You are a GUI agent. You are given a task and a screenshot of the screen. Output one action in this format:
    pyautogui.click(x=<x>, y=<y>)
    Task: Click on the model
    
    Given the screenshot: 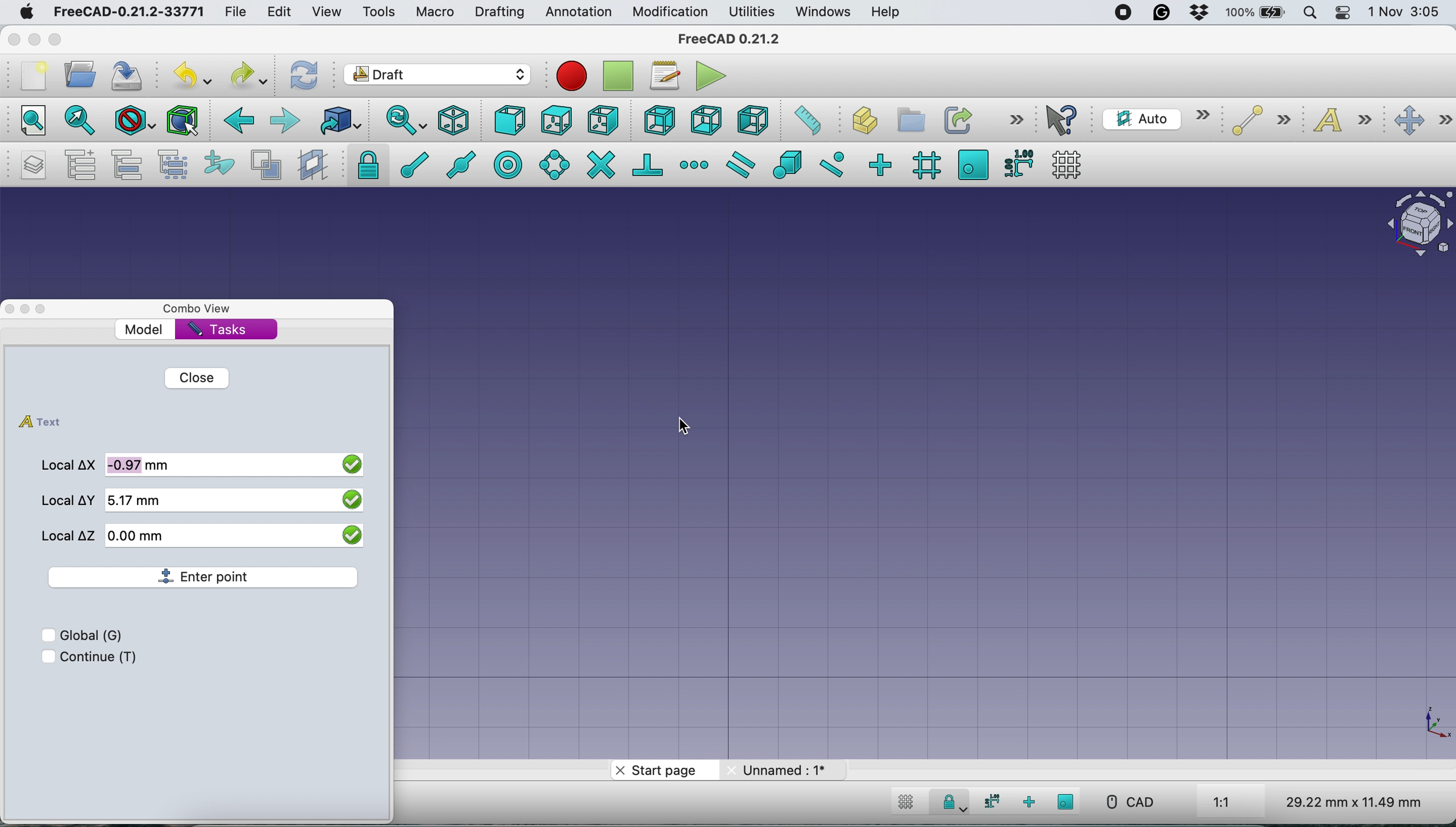 What is the action you would take?
    pyautogui.click(x=146, y=330)
    